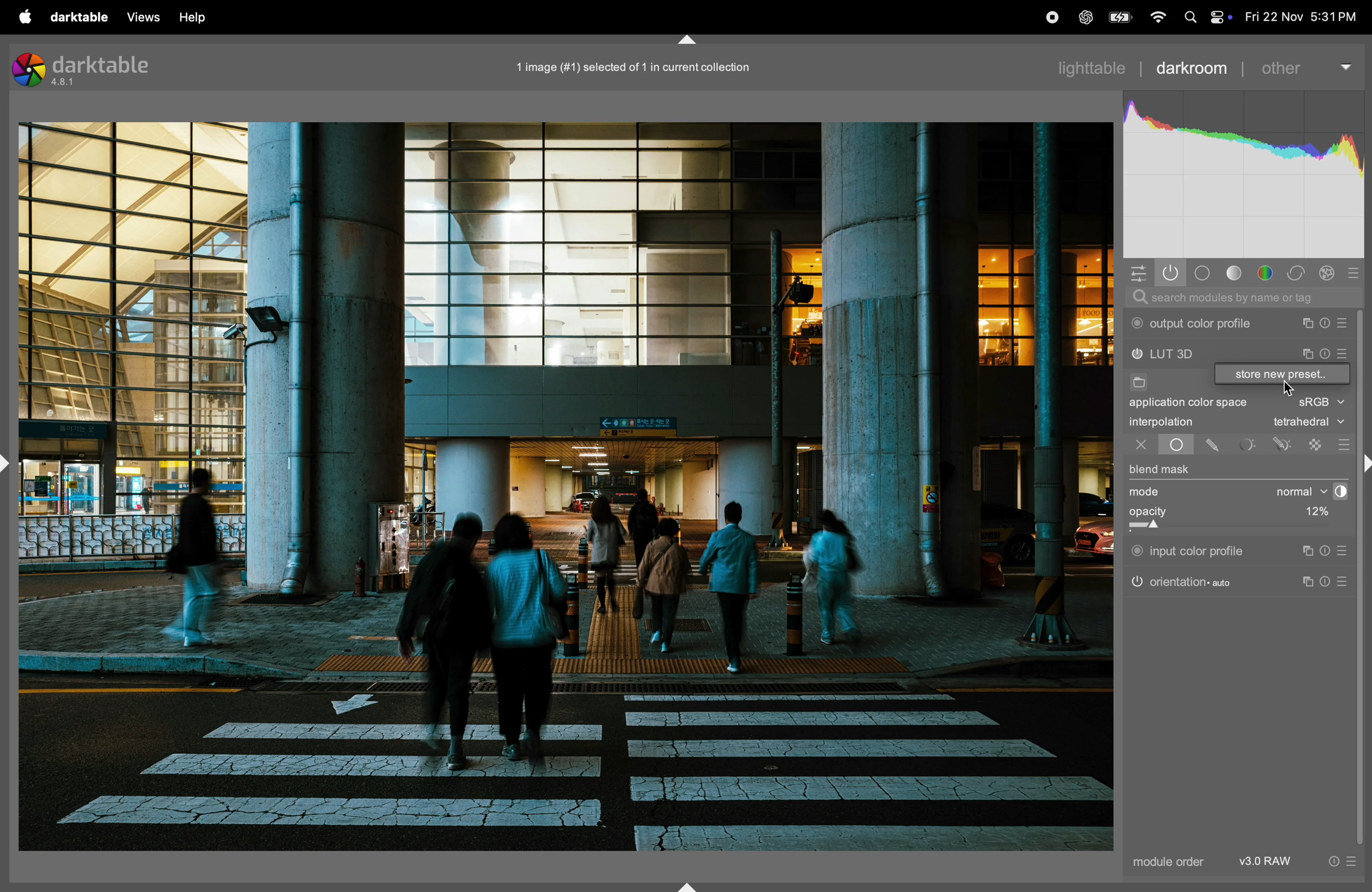  Describe the element at coordinates (685, 40) in the screenshot. I see `shift+ctrl+t` at that location.